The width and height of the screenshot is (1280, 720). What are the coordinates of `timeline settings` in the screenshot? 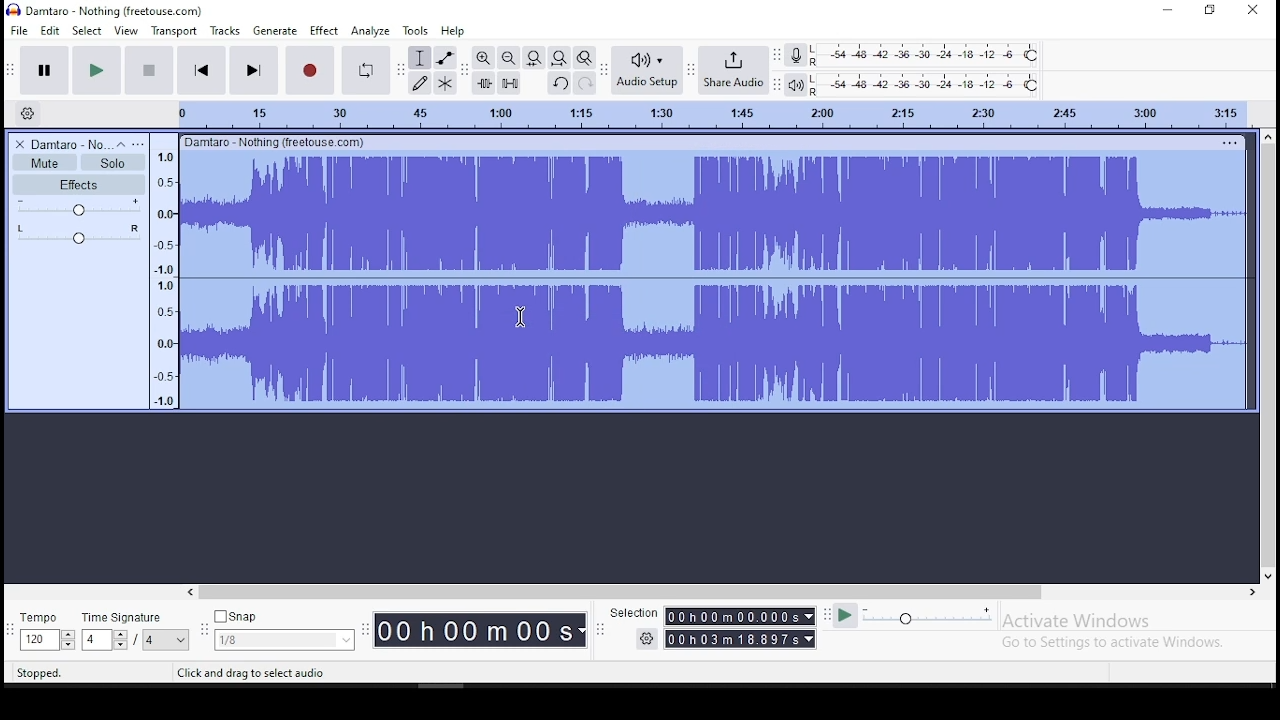 It's located at (26, 113).